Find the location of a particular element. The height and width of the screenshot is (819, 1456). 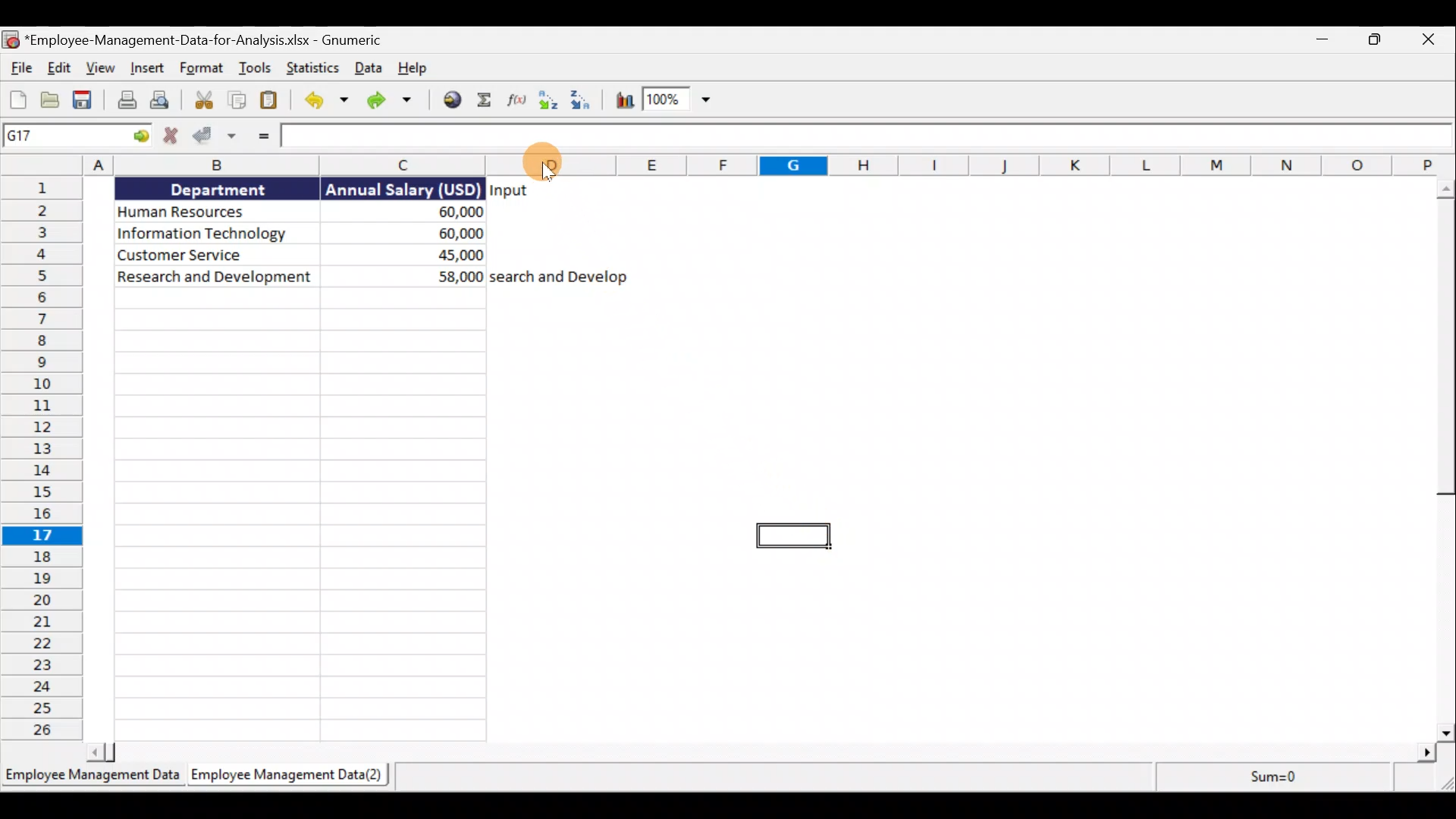

Print the current file is located at coordinates (124, 102).